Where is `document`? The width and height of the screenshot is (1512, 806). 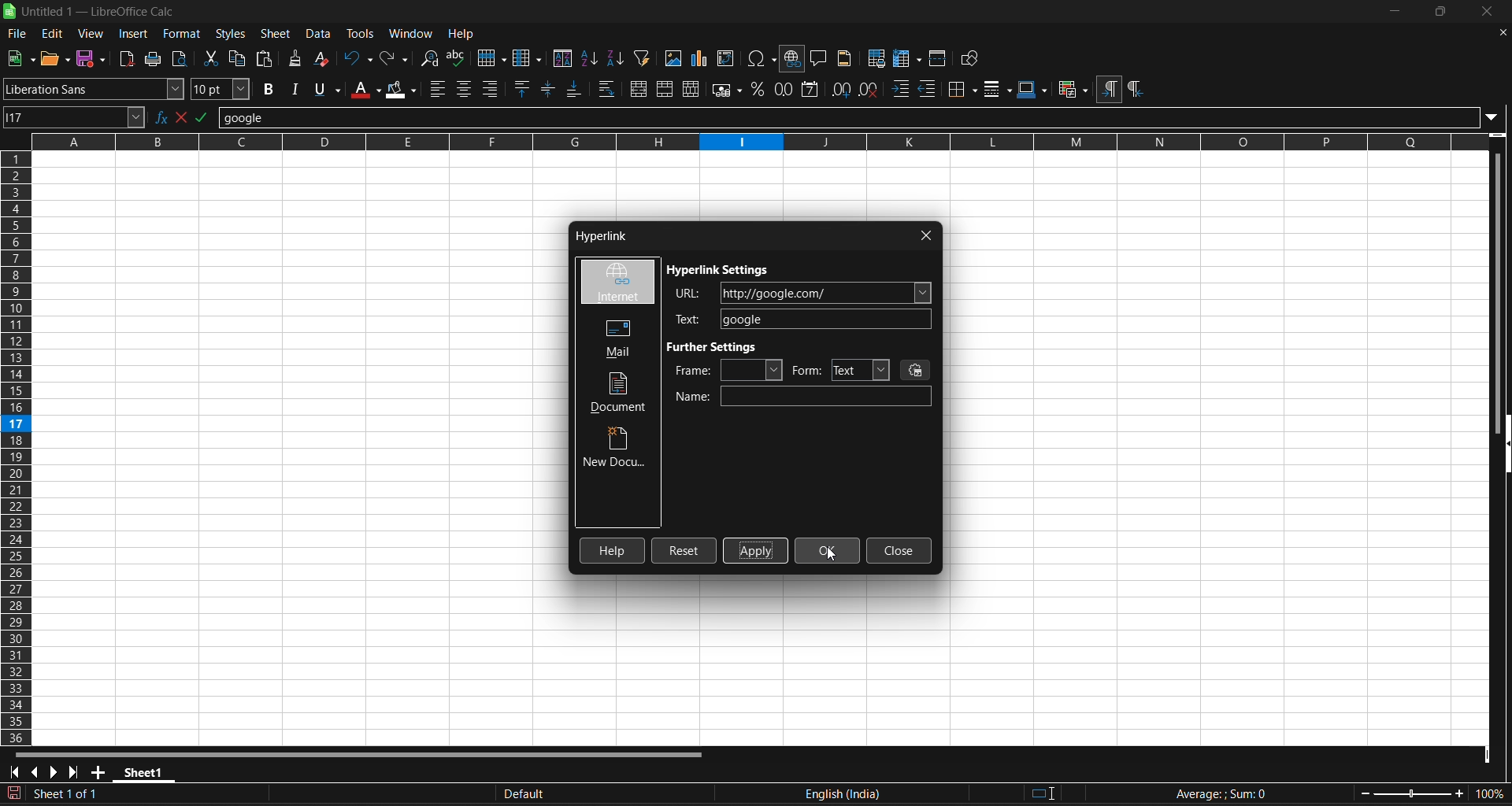
document is located at coordinates (621, 393).